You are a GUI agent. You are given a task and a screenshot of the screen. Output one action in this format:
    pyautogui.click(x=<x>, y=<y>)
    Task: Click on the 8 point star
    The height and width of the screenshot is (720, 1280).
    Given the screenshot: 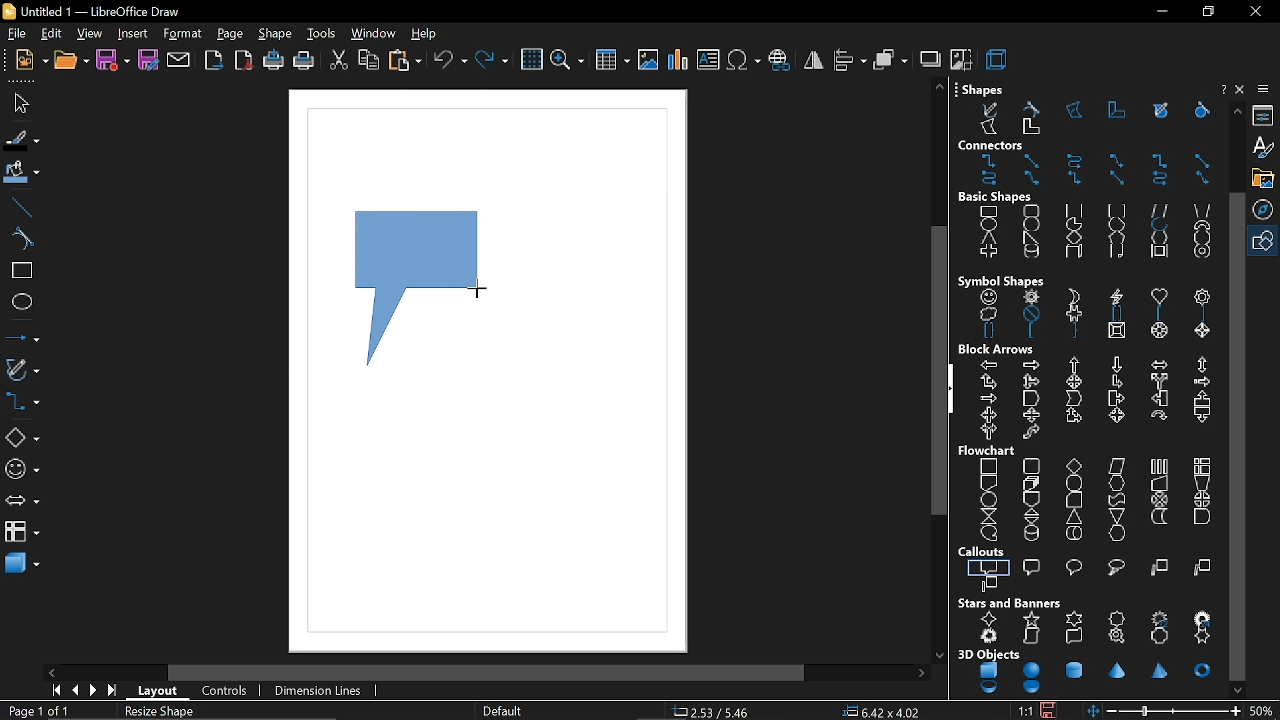 What is the action you would take?
    pyautogui.click(x=1117, y=617)
    